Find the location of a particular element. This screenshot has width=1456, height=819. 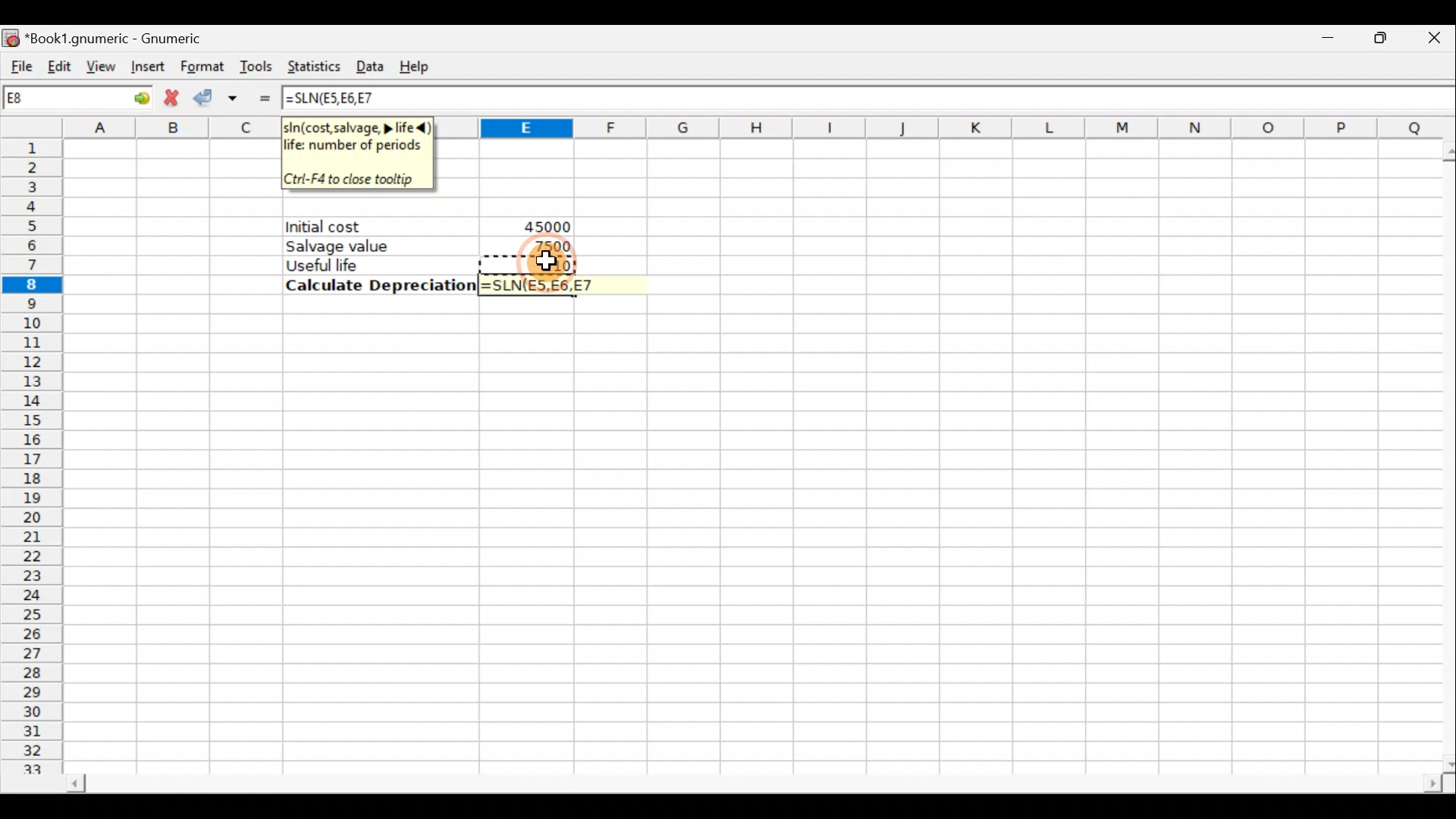

Minimize is located at coordinates (1325, 42).